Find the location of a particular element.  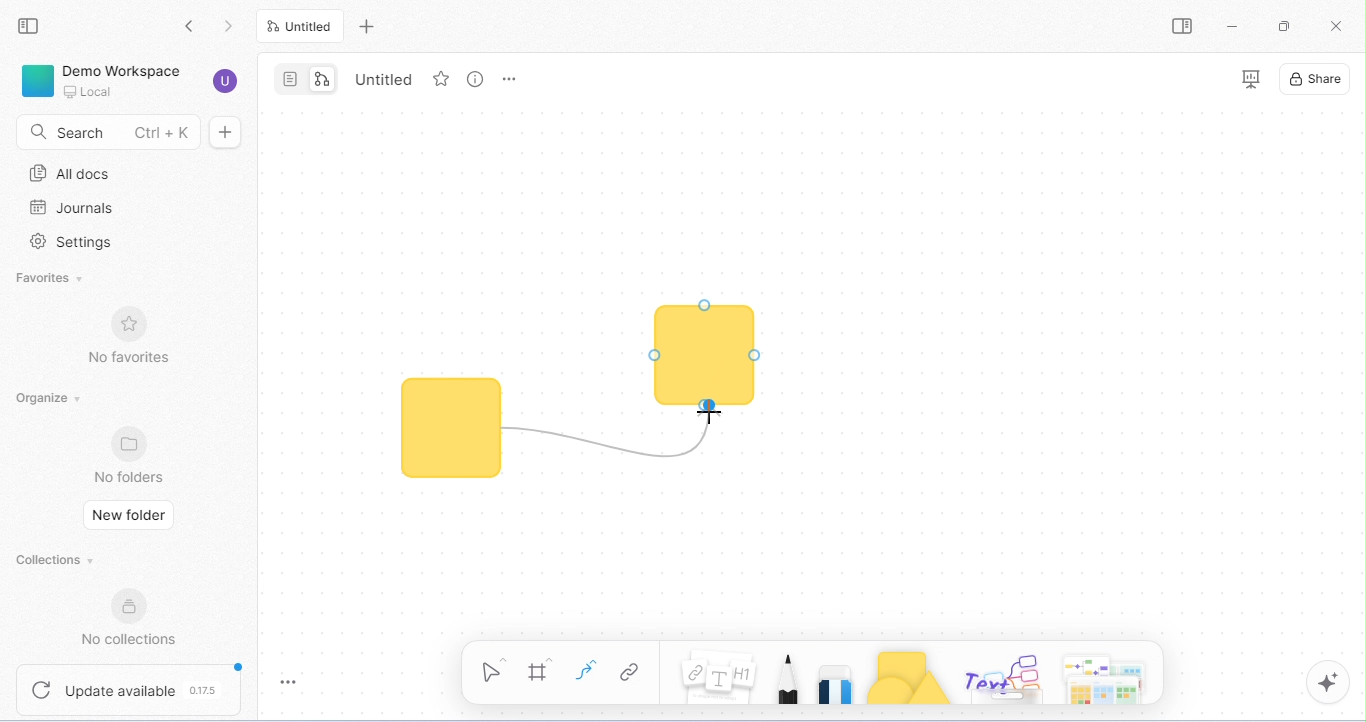

no favorites is located at coordinates (128, 338).